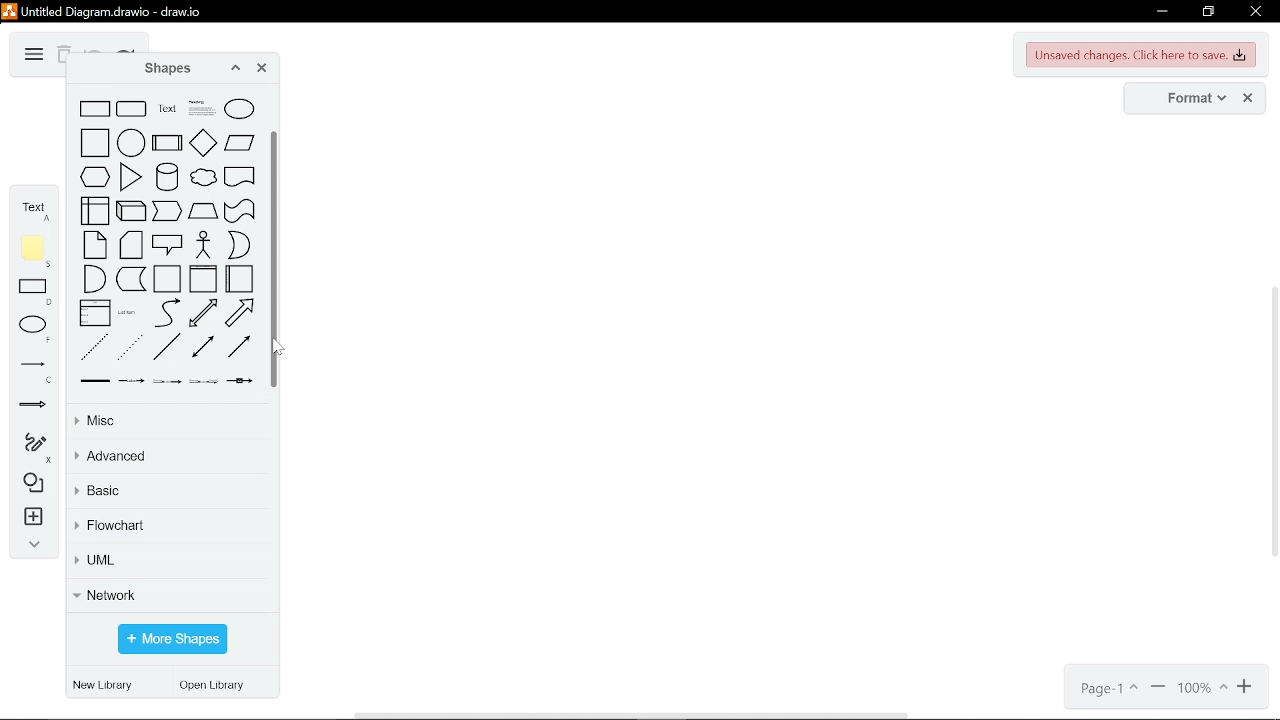 This screenshot has width=1280, height=720. What do you see at coordinates (114, 10) in the screenshot?
I see `untitled diagram.drawio -draw.io` at bounding box center [114, 10].